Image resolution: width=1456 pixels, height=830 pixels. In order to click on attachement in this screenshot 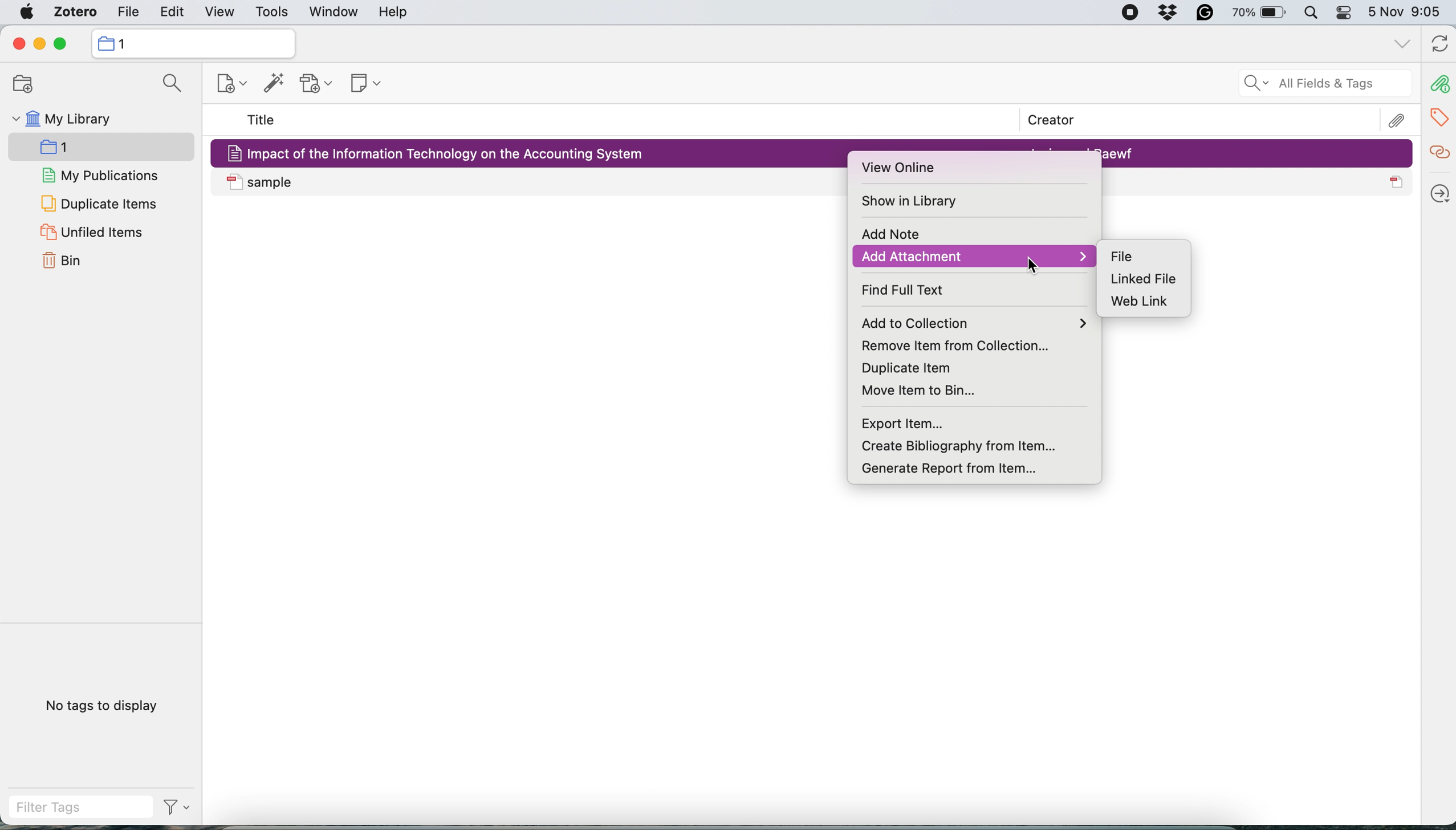, I will do `click(1399, 120)`.